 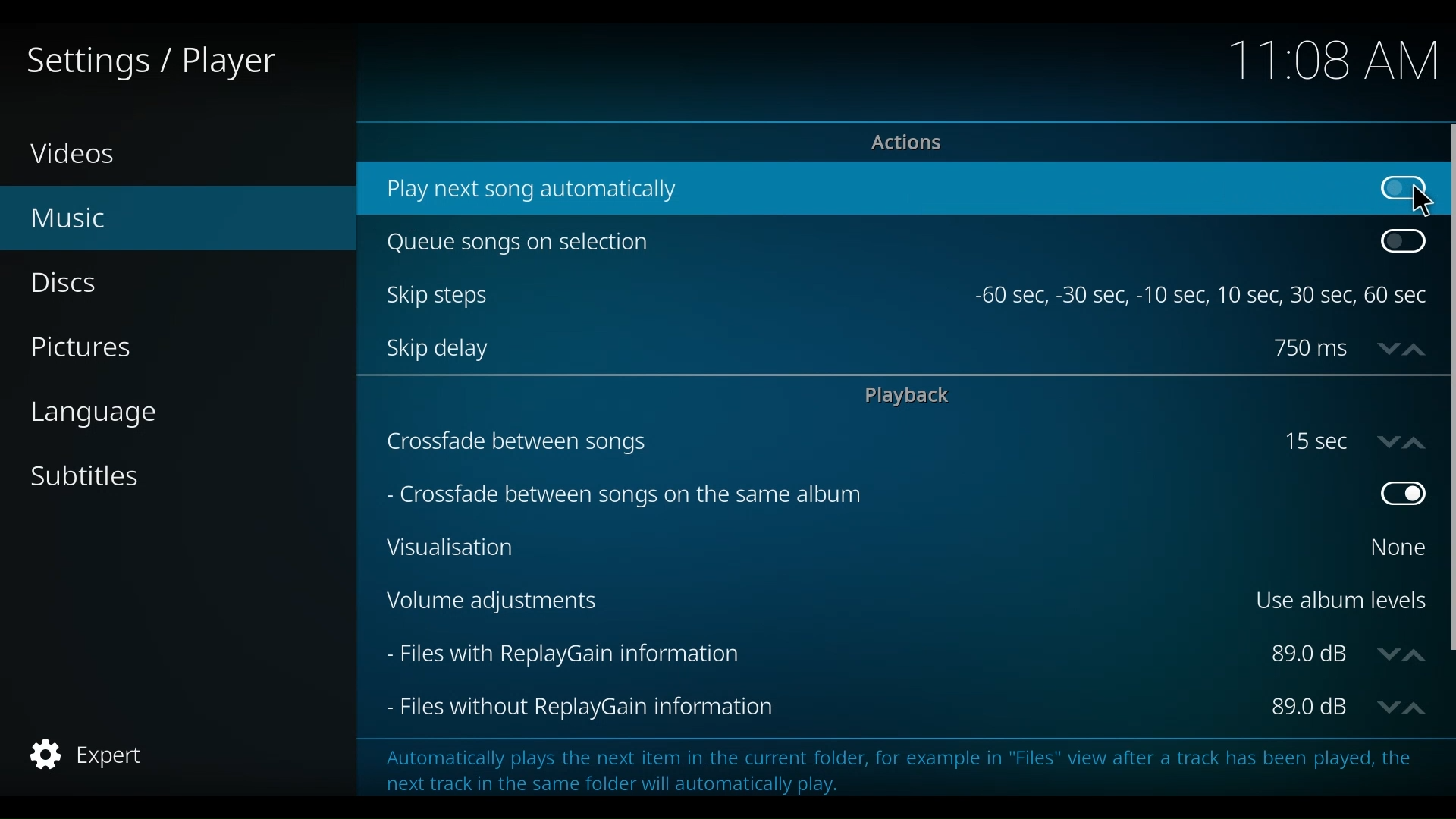 I want to click on down, so click(x=1384, y=347).